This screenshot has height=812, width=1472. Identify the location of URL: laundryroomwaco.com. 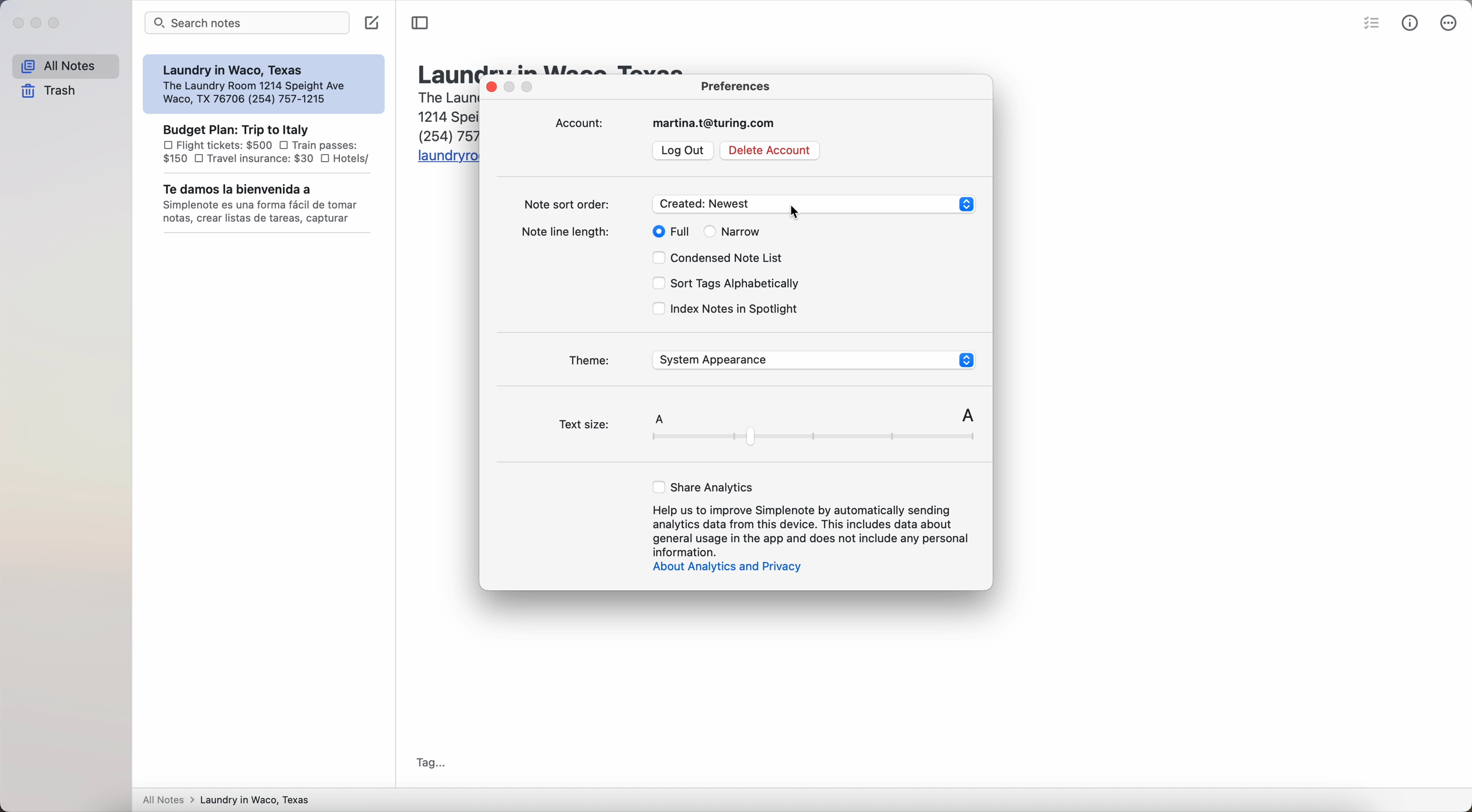
(445, 157).